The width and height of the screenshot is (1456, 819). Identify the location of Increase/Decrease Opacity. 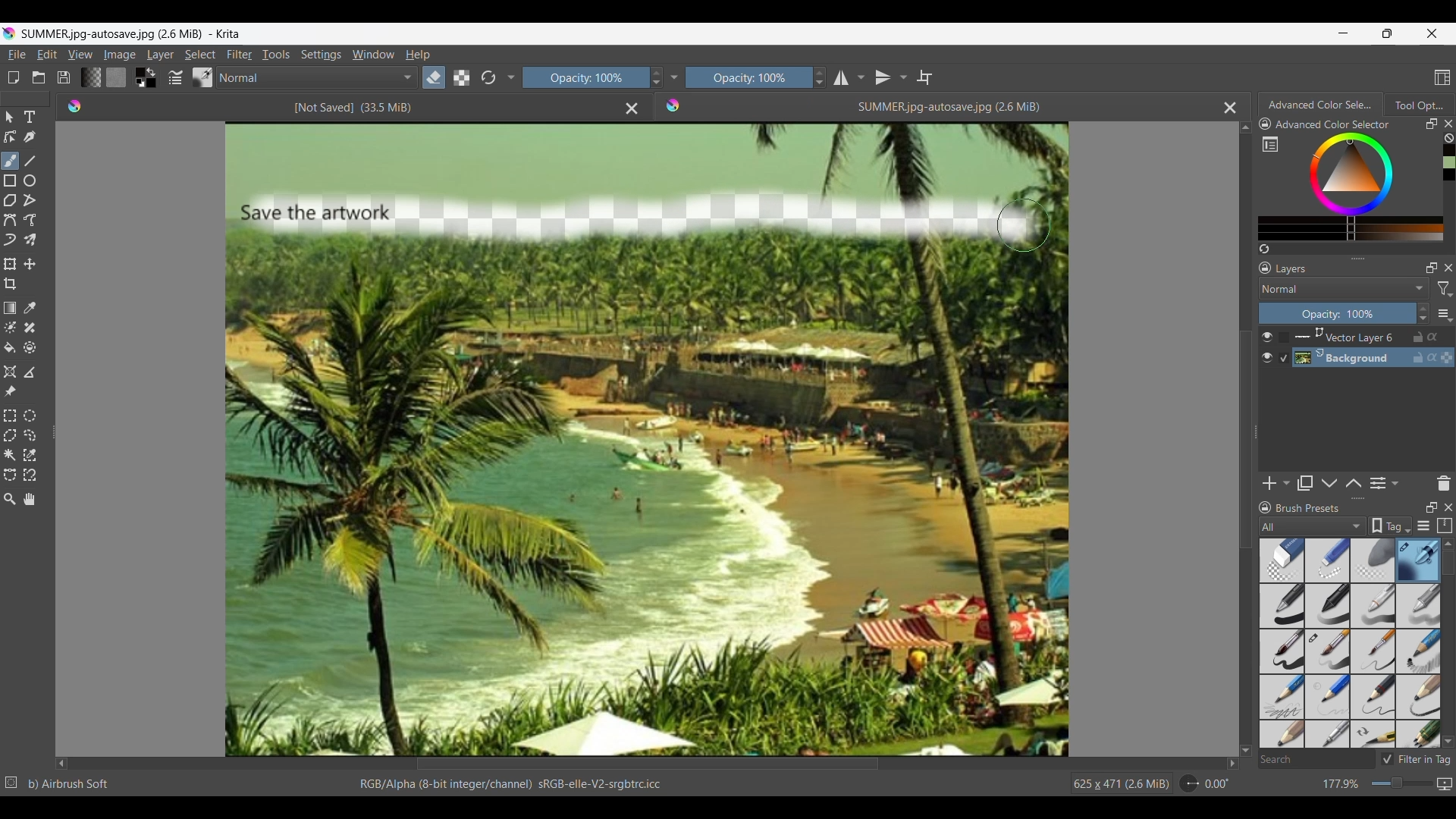
(654, 78).